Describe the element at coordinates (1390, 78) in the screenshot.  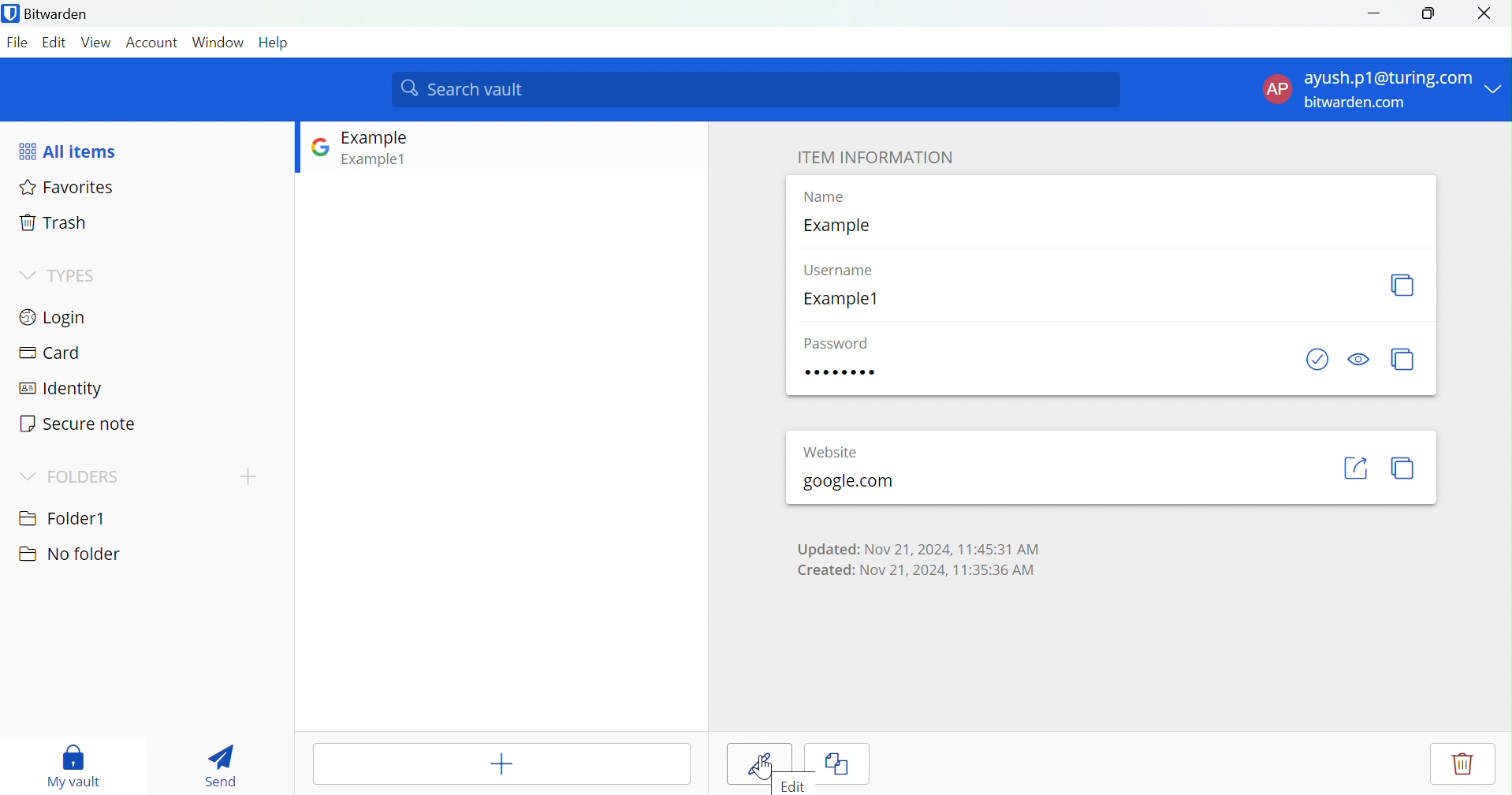
I see `ayush.p1@turing.com` at that location.